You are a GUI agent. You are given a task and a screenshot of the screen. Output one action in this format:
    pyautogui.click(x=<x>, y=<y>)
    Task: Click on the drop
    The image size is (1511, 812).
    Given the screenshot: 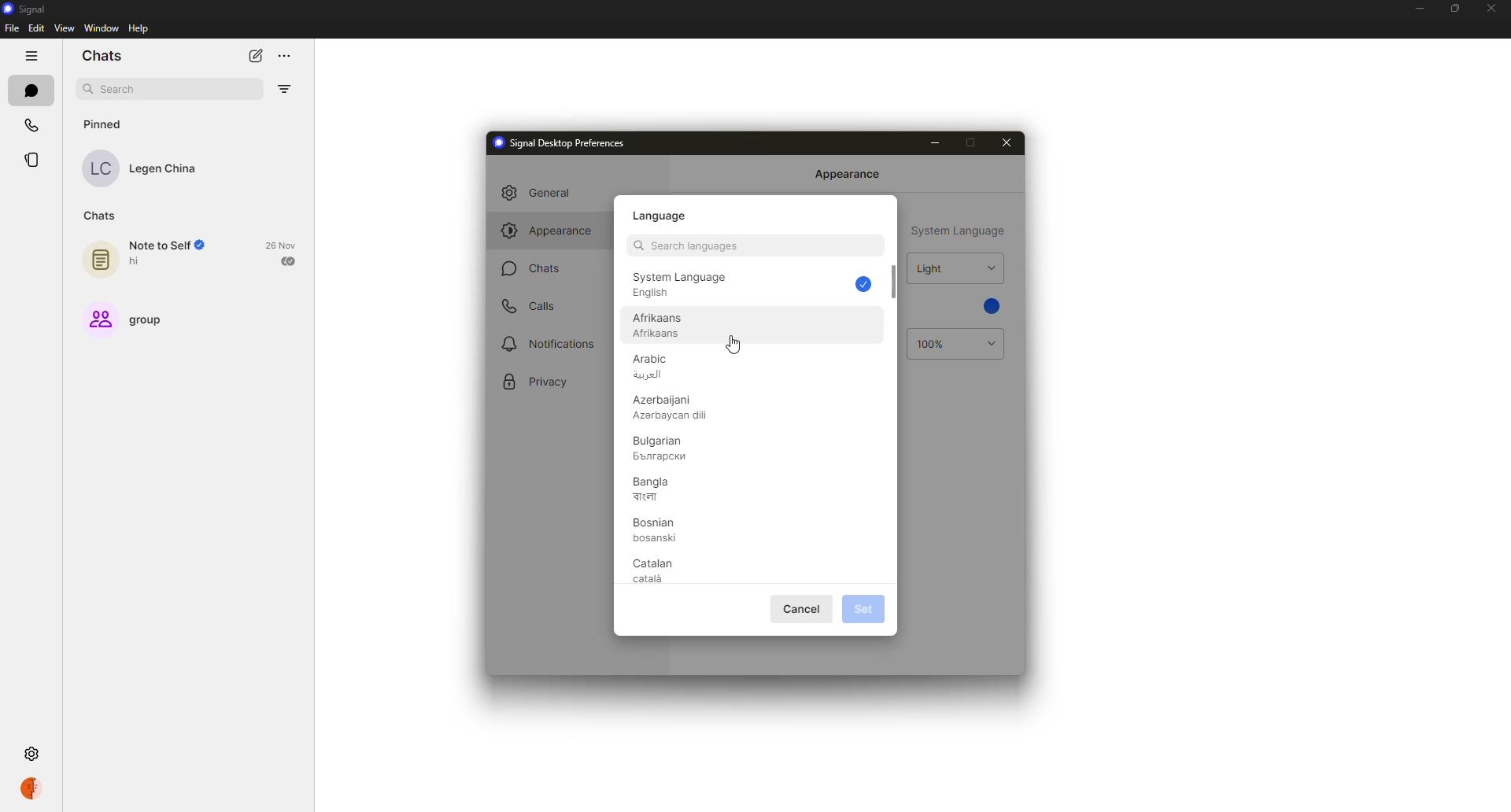 What is the action you would take?
    pyautogui.click(x=988, y=343)
    